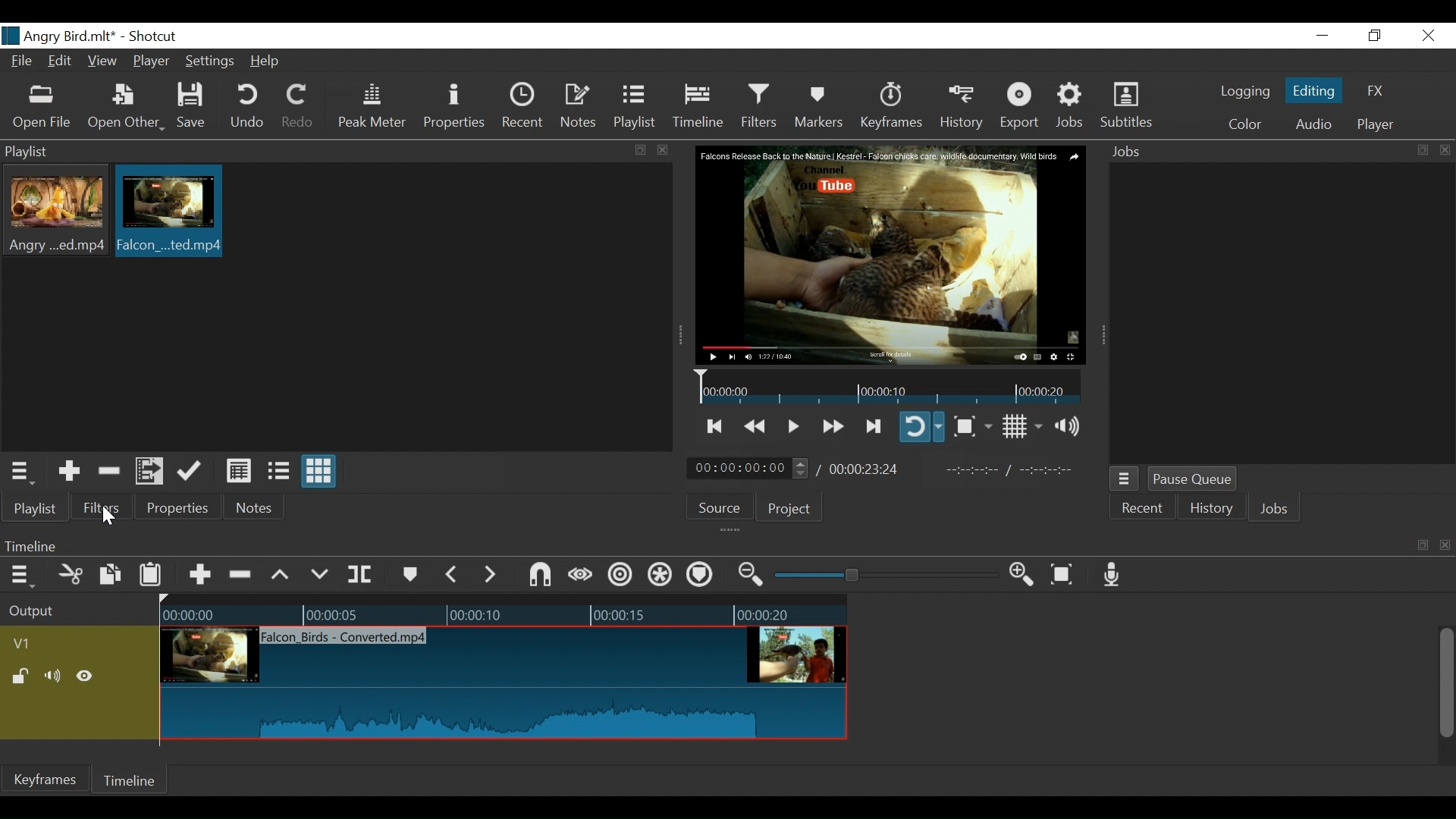  What do you see at coordinates (891, 256) in the screenshot?
I see `Media Viewer` at bounding box center [891, 256].